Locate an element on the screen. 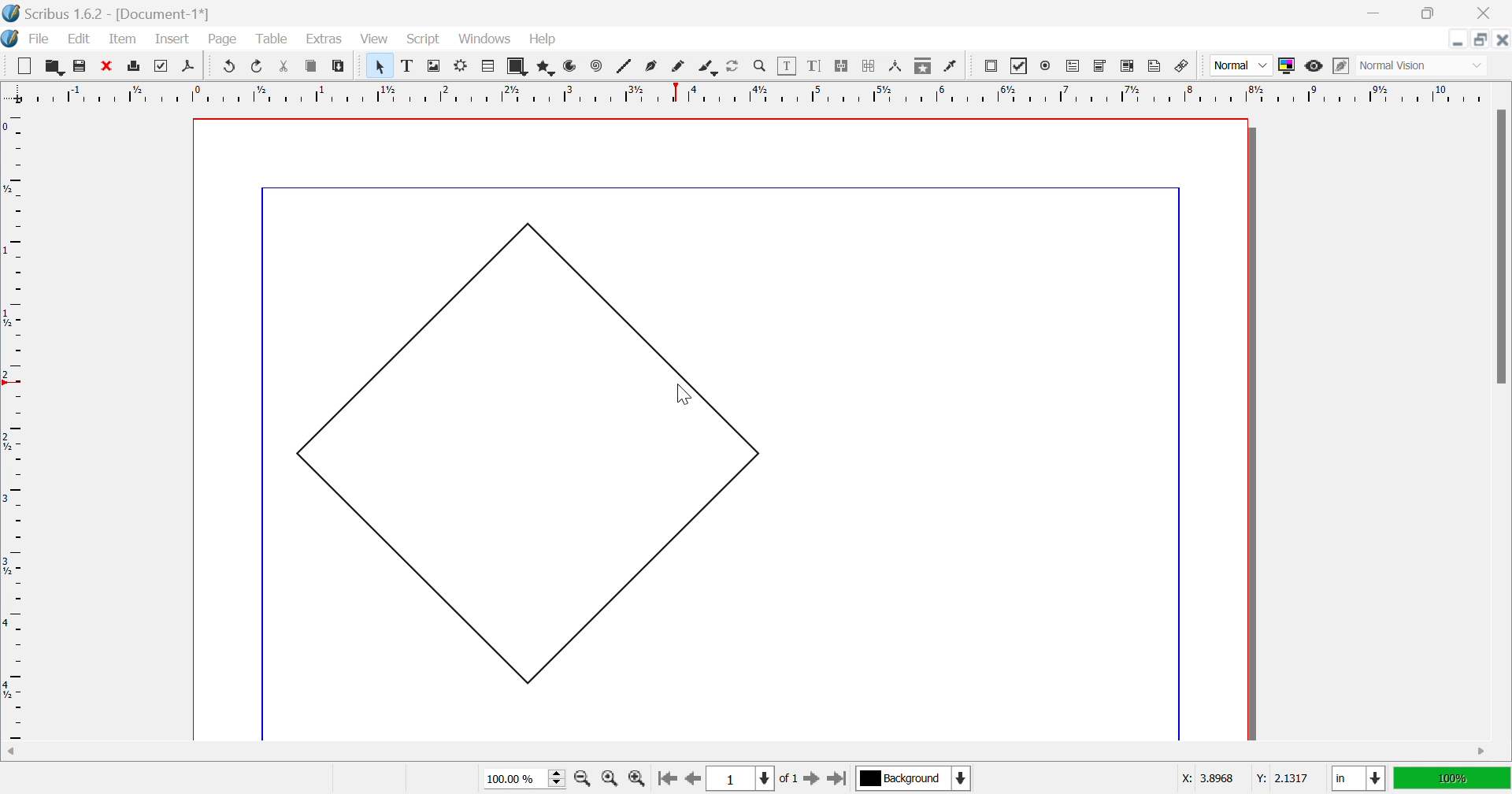  New is located at coordinates (24, 66).